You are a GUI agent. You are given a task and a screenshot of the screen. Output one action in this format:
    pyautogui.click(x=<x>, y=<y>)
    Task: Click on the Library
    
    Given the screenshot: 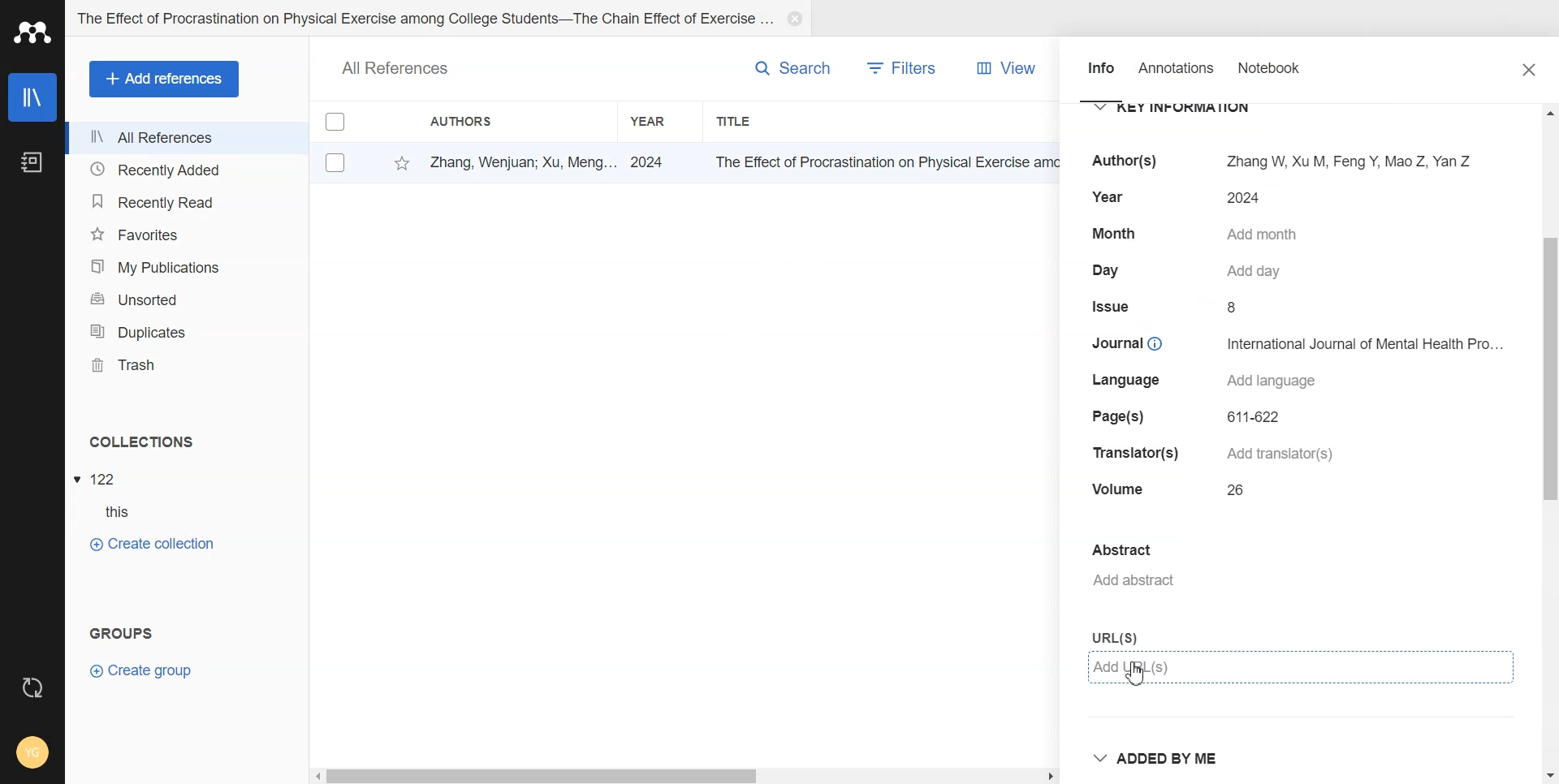 What is the action you would take?
    pyautogui.click(x=32, y=97)
    